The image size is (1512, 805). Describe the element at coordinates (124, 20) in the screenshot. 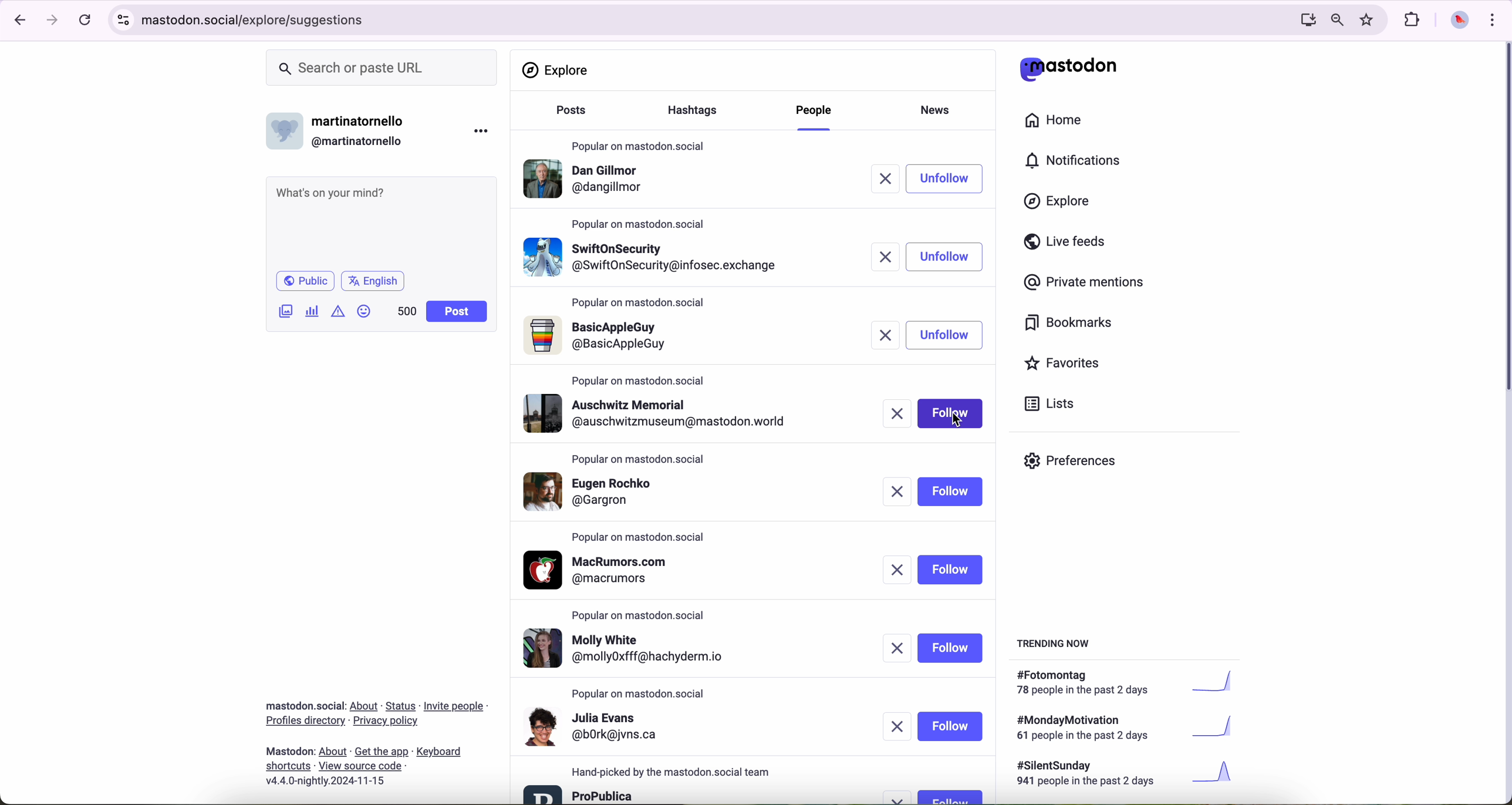

I see `controls` at that location.